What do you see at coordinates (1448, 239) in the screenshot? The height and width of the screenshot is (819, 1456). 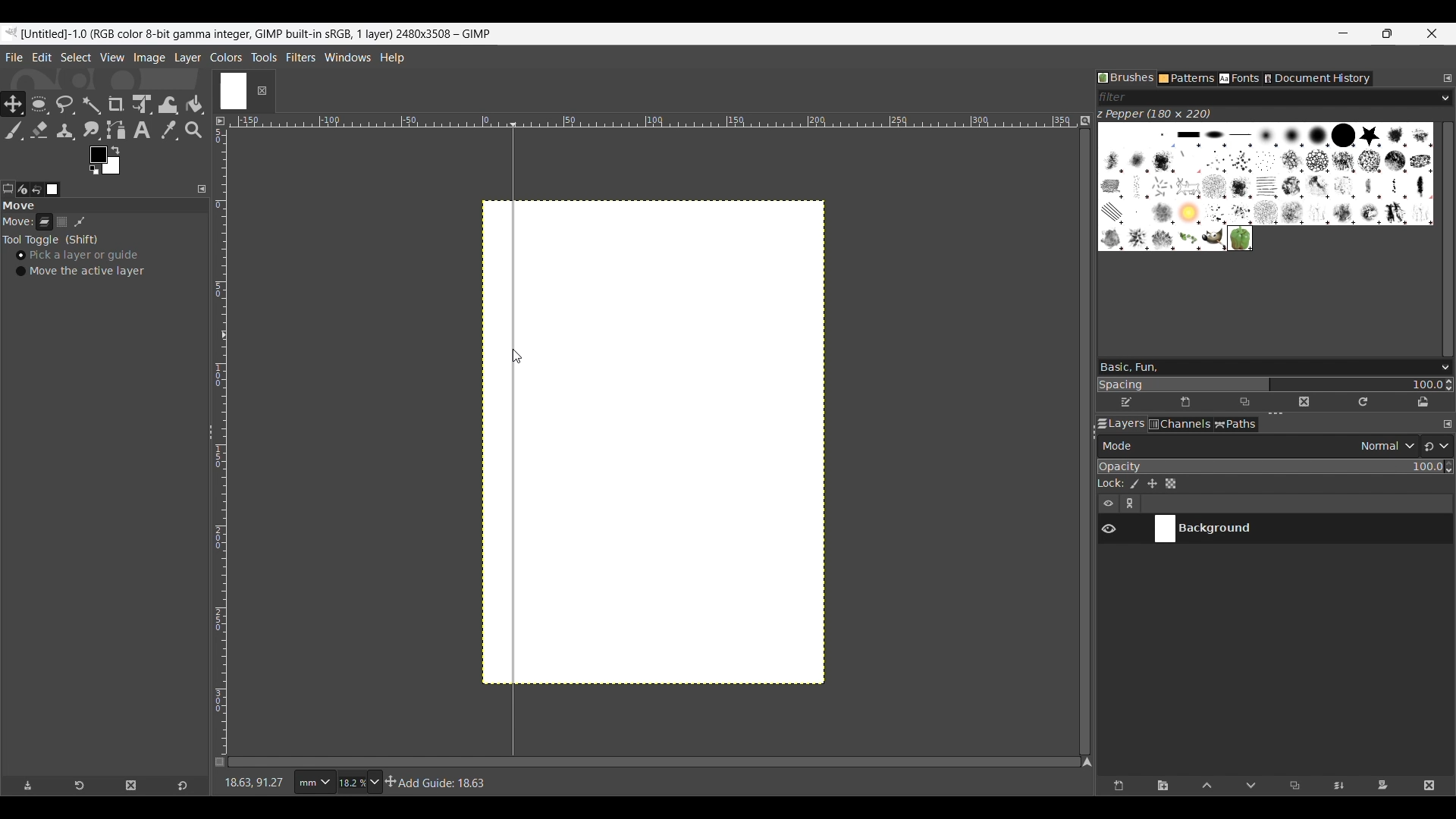 I see `Vertical slide bar` at bounding box center [1448, 239].